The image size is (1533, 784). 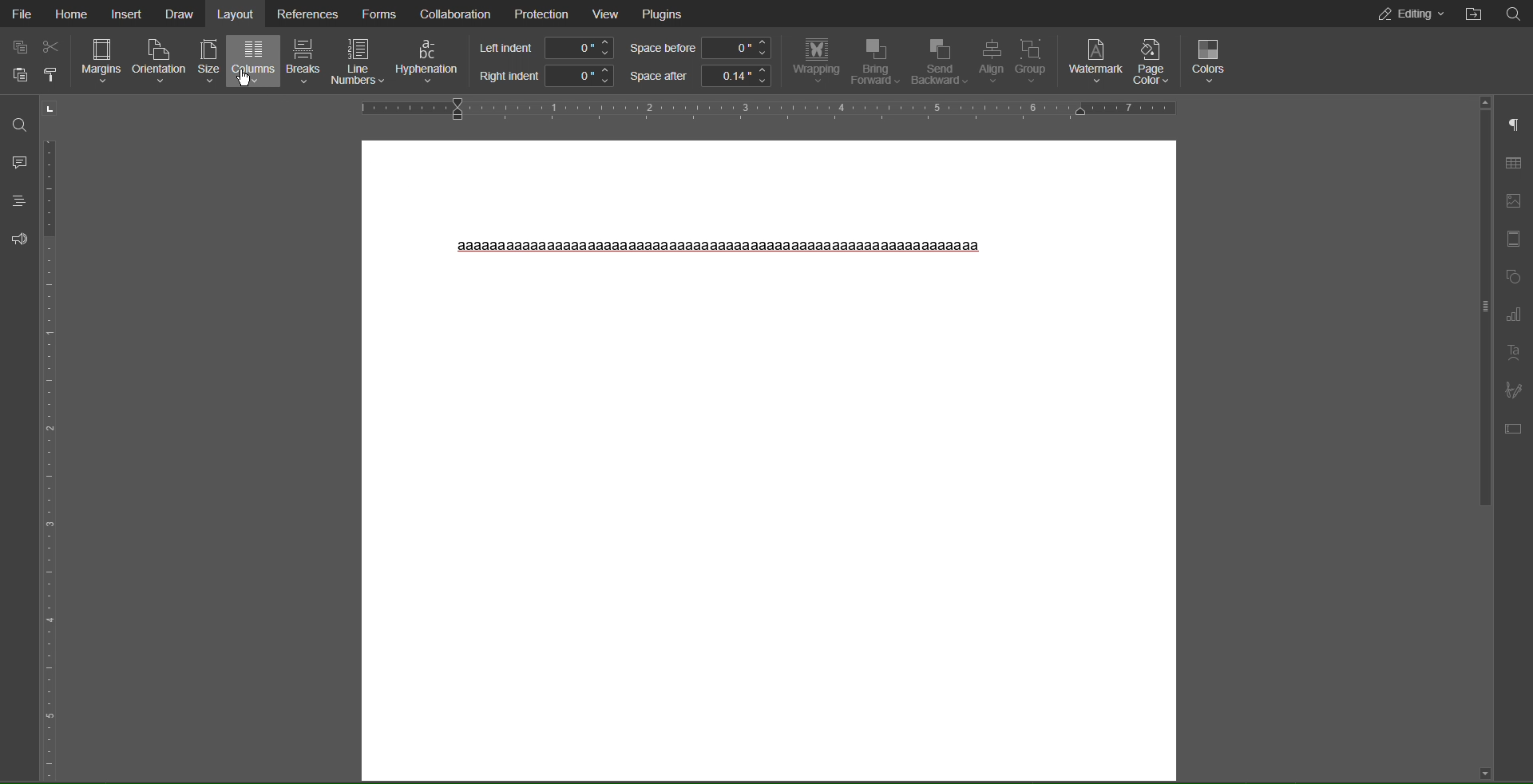 What do you see at coordinates (1514, 162) in the screenshot?
I see `Table Settings` at bounding box center [1514, 162].